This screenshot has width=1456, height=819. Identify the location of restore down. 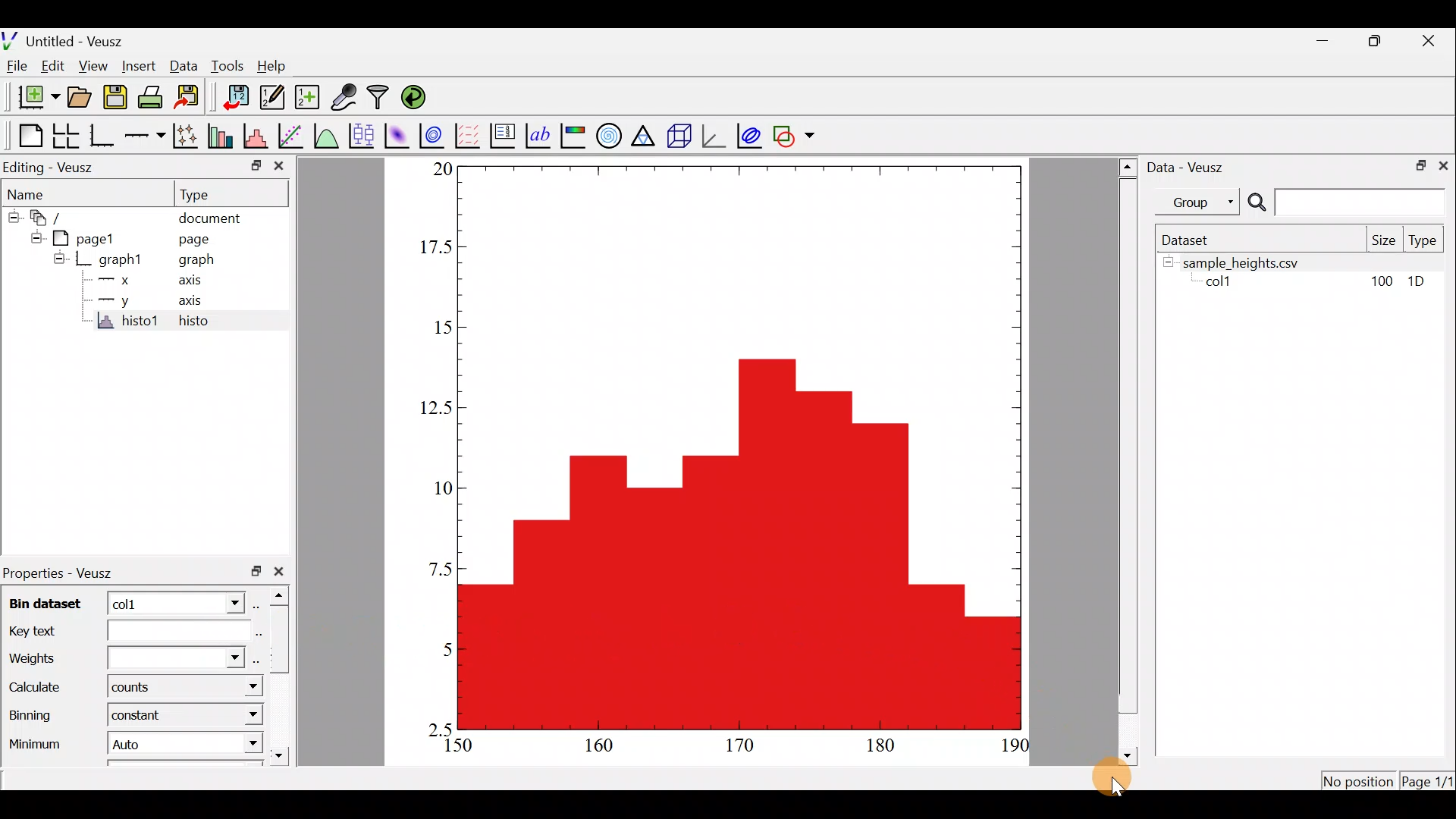
(1373, 42).